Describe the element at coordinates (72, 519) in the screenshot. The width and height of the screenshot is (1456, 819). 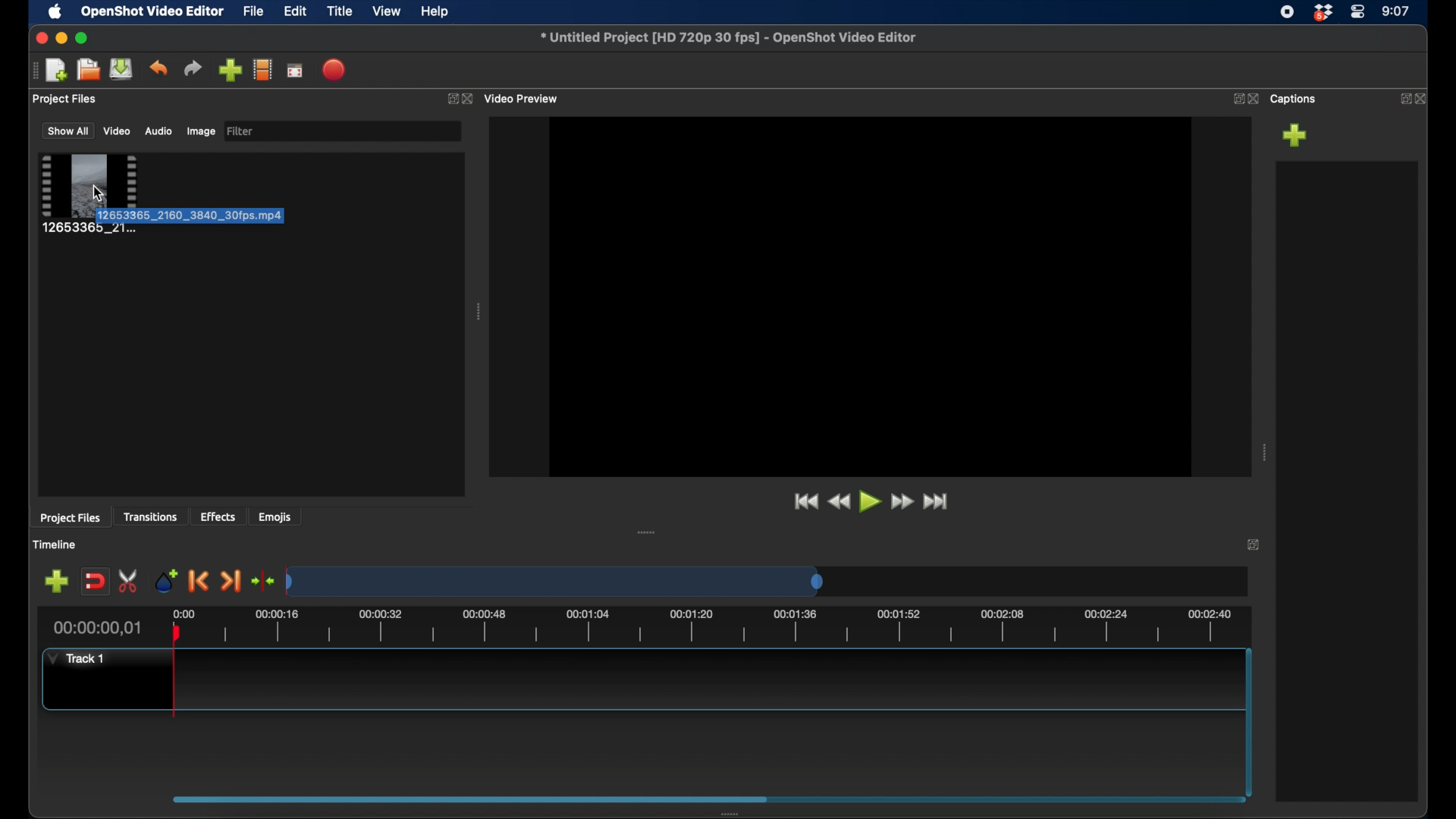
I see `project files` at that location.